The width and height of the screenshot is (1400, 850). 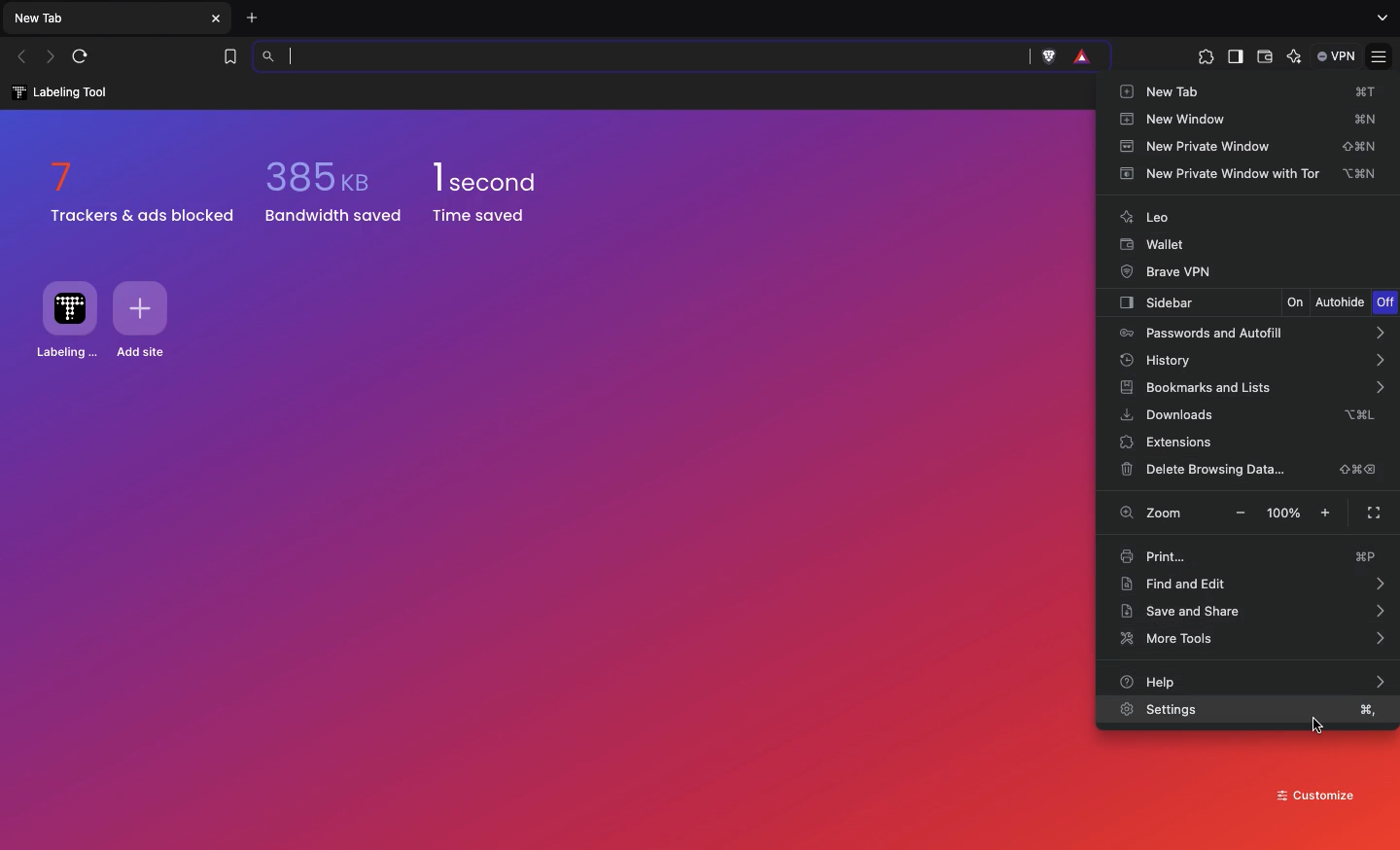 What do you see at coordinates (218, 18) in the screenshot?
I see `close tab` at bounding box center [218, 18].